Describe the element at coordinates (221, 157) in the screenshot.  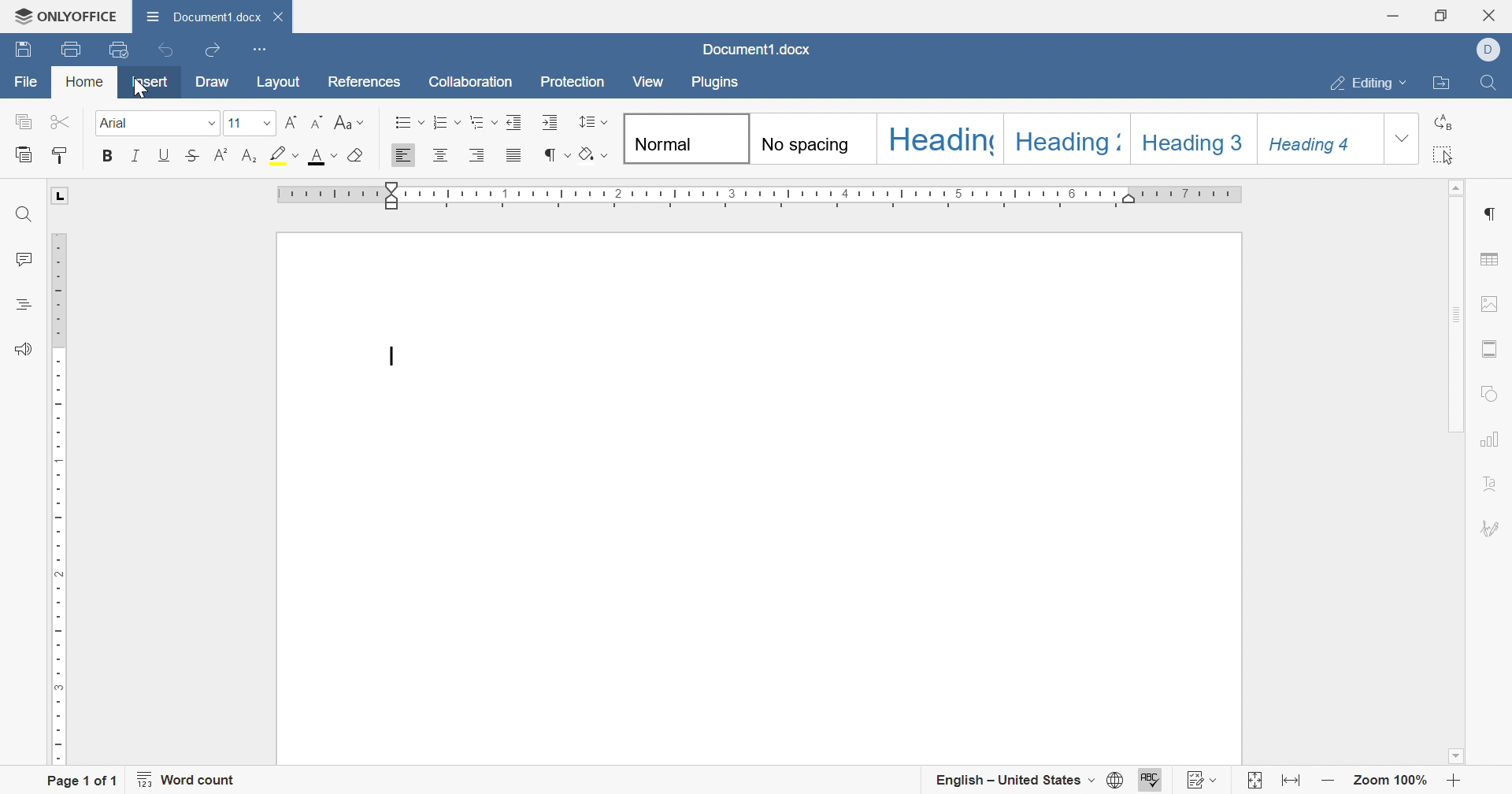
I see `` at that location.